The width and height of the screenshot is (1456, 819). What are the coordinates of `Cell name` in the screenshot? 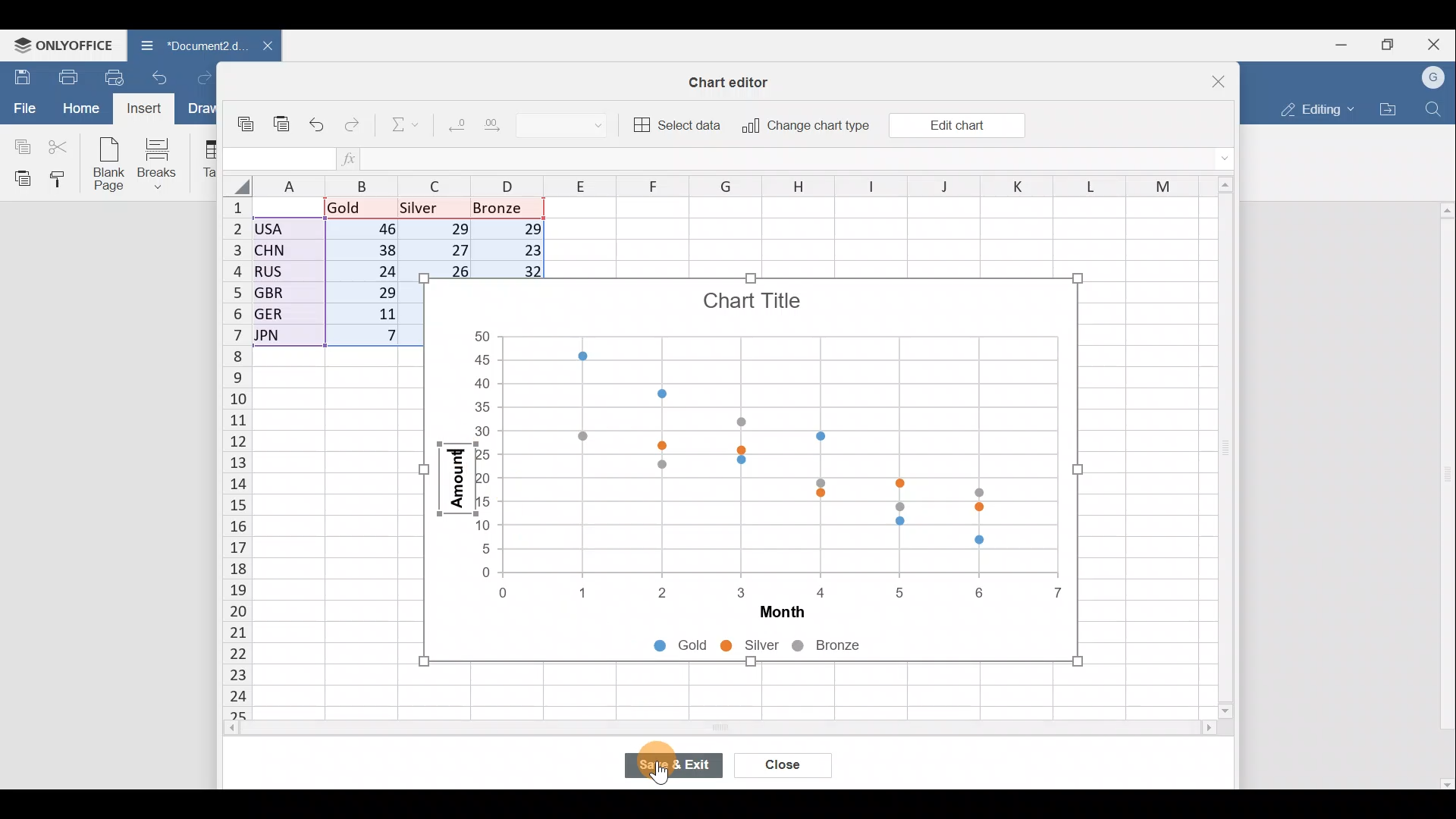 It's located at (278, 155).